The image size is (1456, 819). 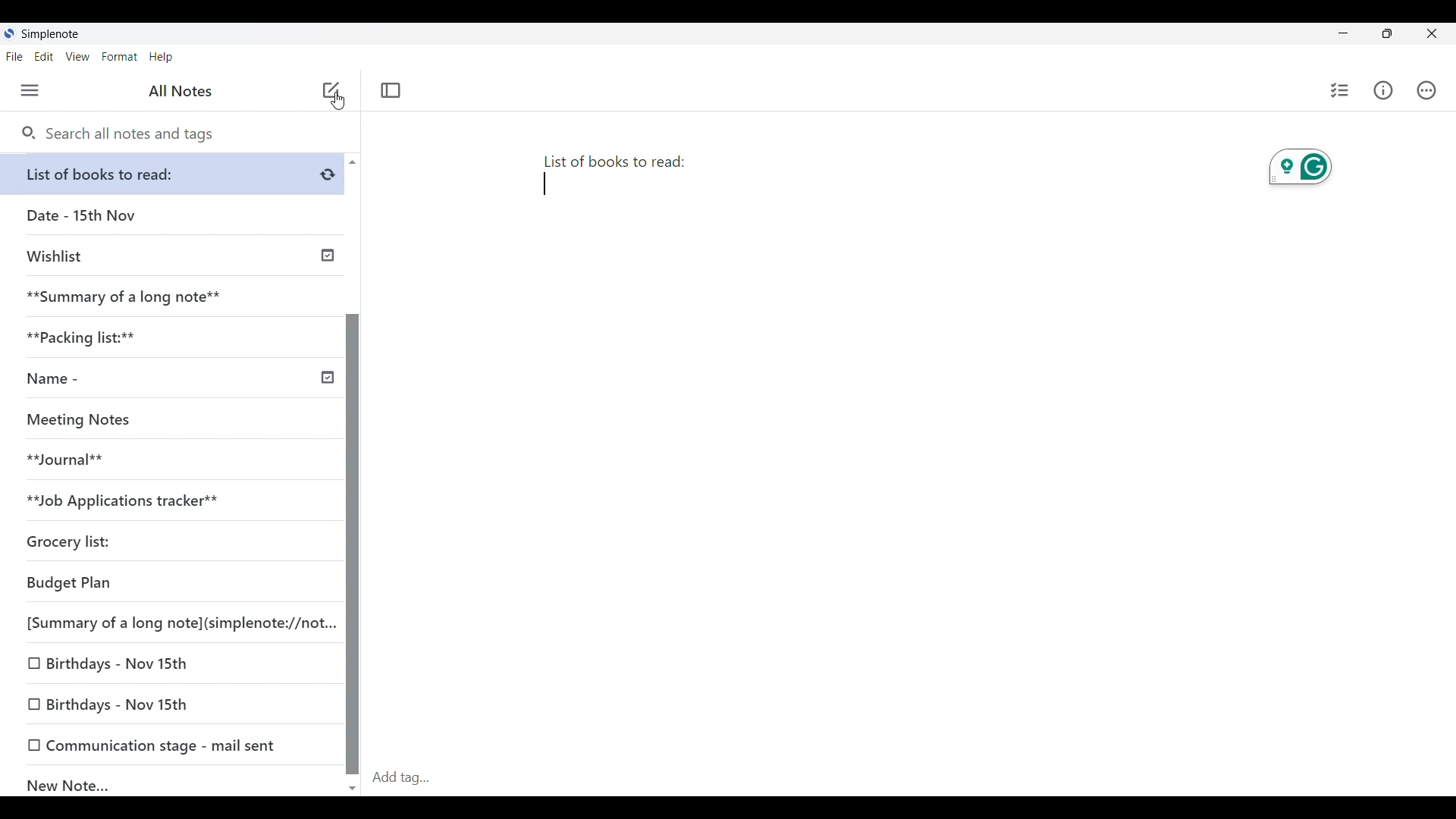 I want to click on Format, so click(x=120, y=57).